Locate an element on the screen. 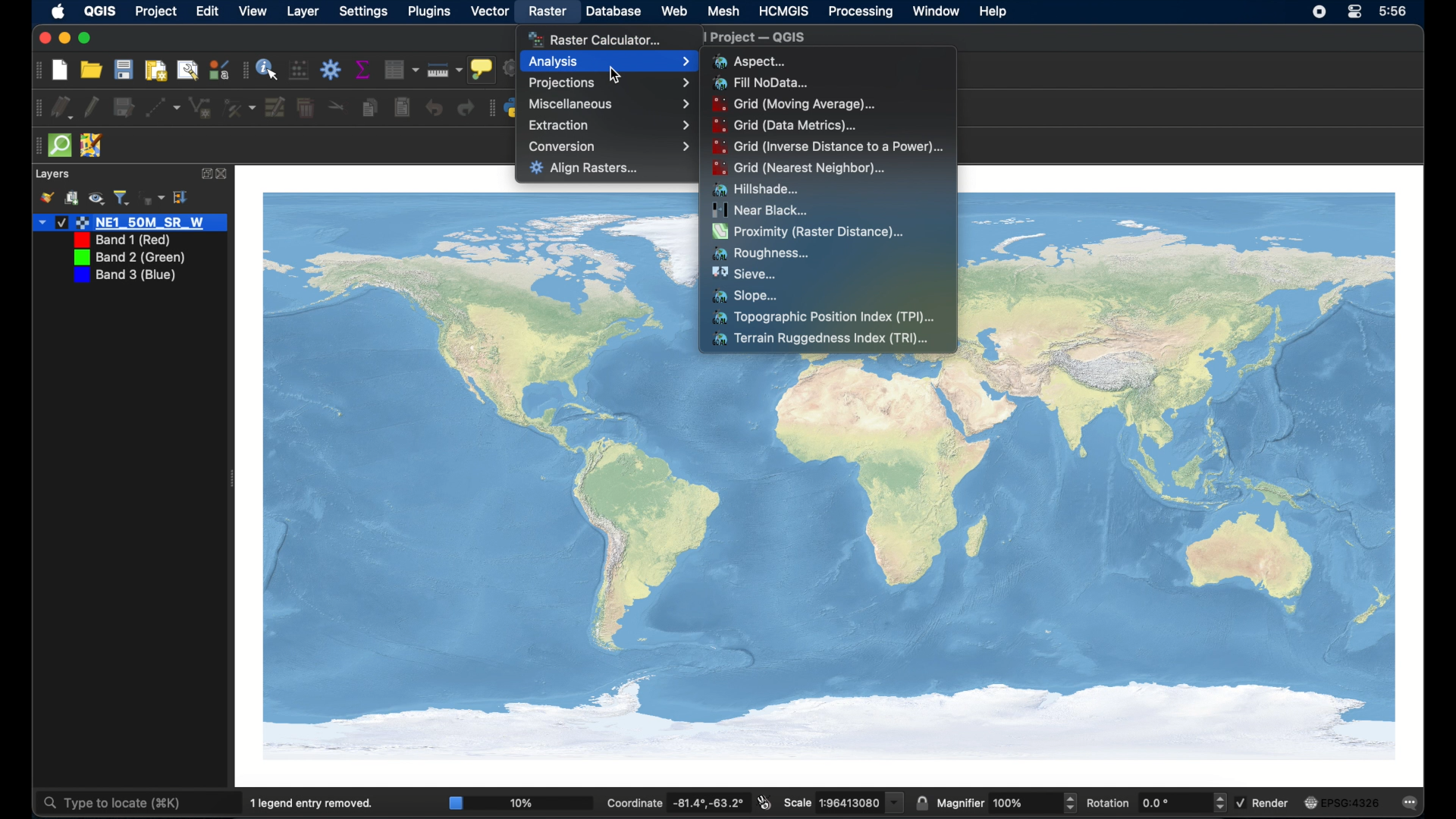 This screenshot has height=819, width=1456. increase/decrease arrows  is located at coordinates (1070, 802).